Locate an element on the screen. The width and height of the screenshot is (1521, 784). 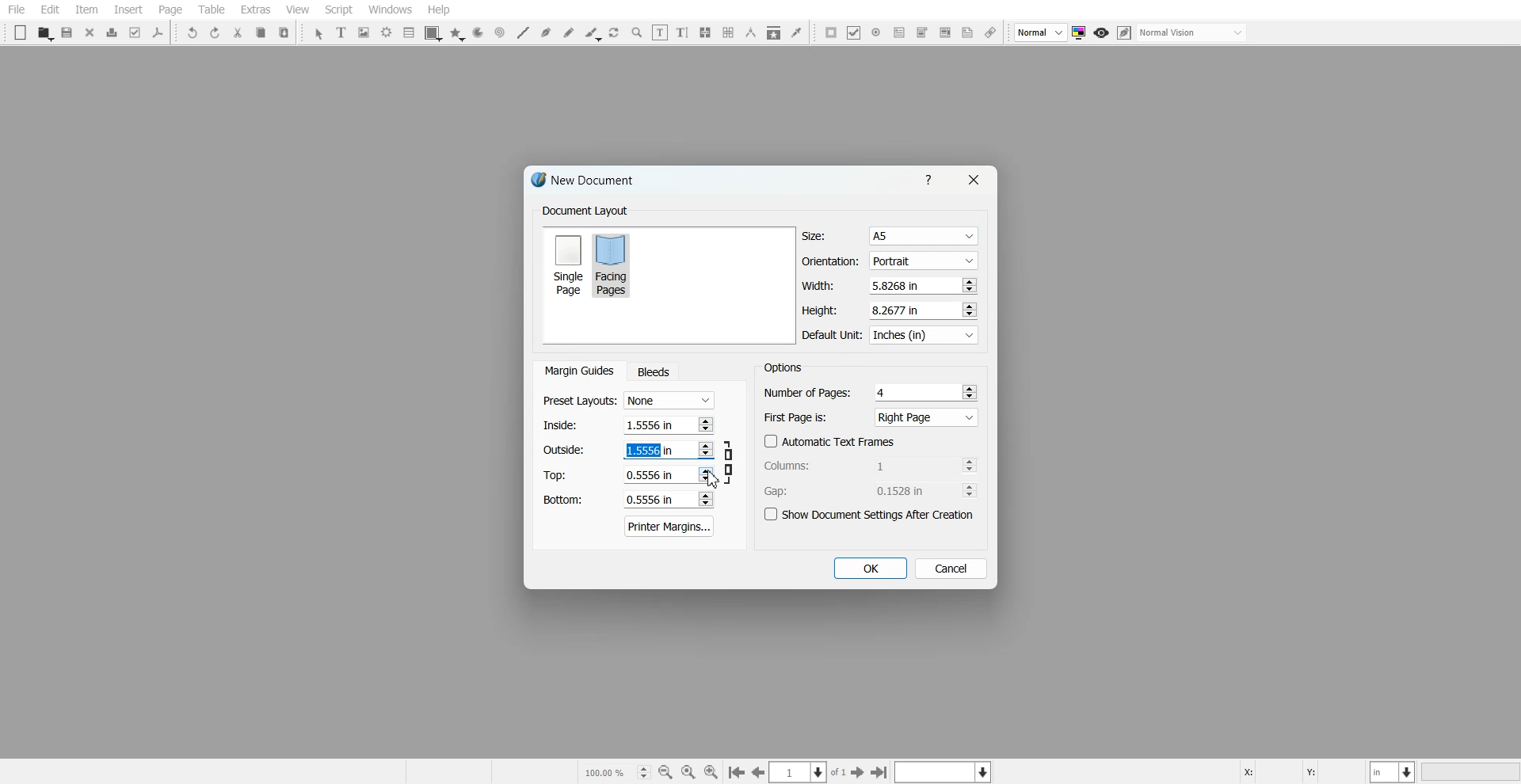
Width adjuster is located at coordinates (889, 286).